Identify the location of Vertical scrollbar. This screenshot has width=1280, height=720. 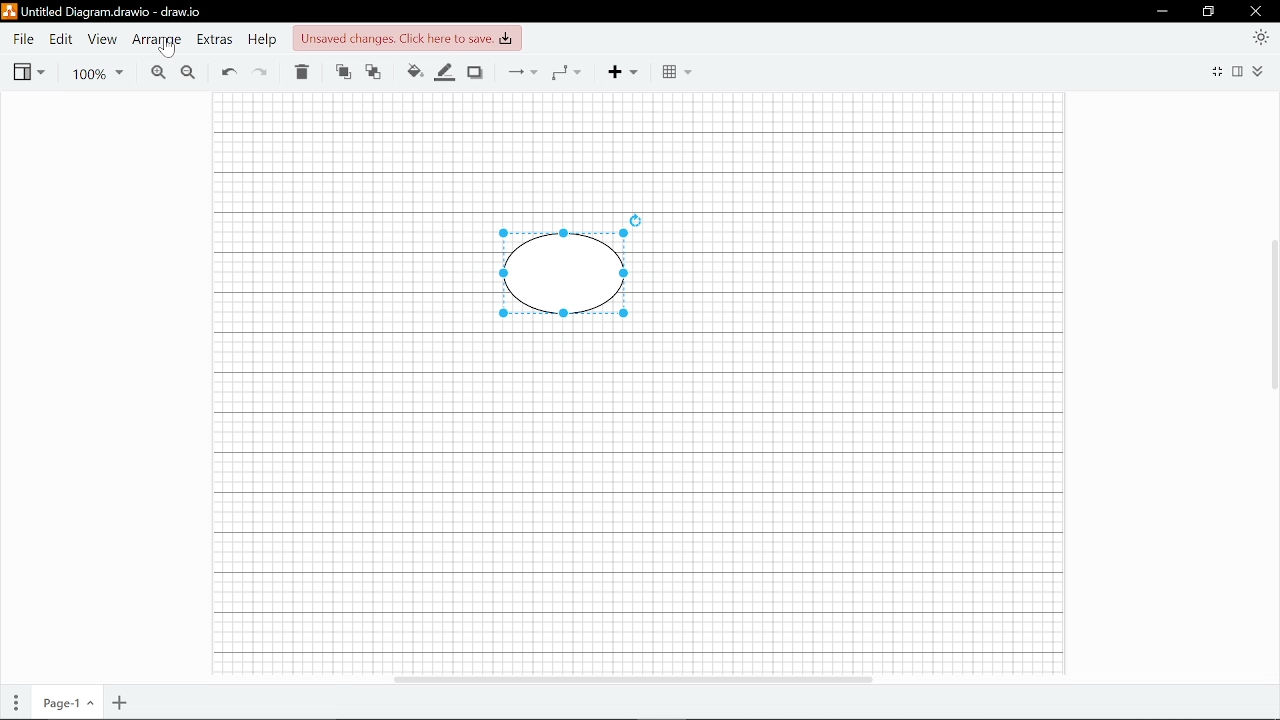
(1272, 314).